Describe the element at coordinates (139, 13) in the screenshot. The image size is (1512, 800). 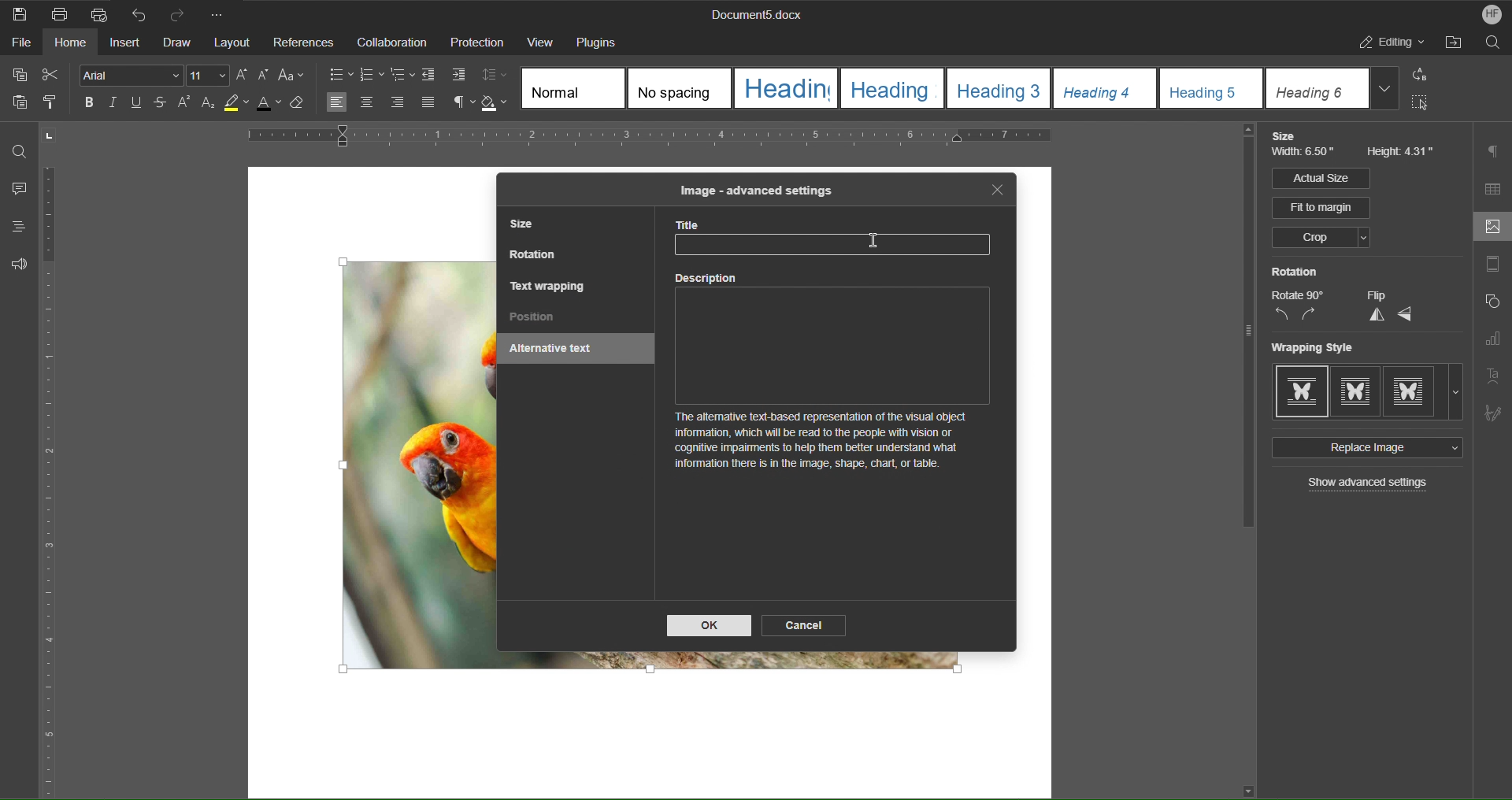
I see `Undo` at that location.